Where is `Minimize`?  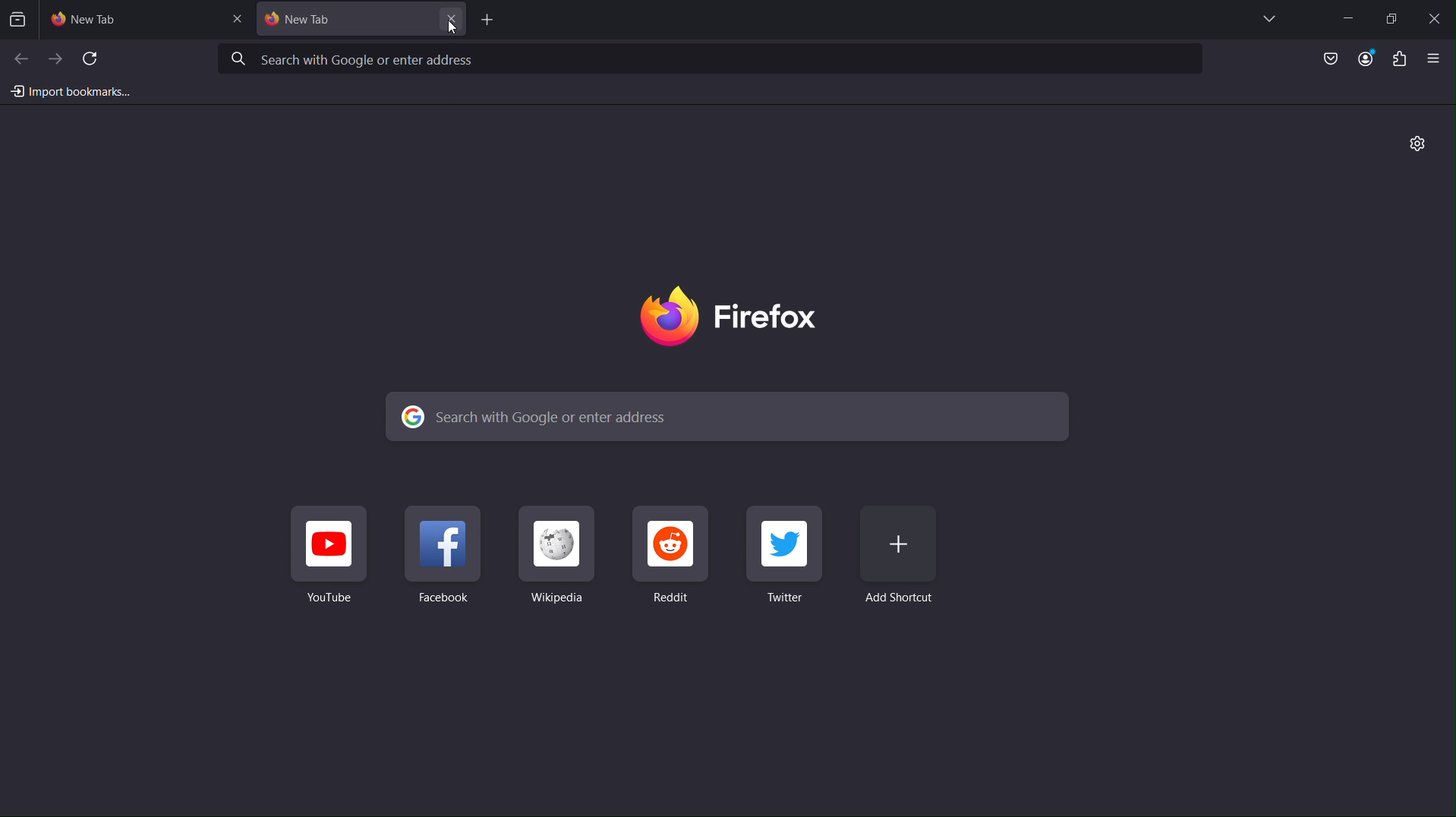
Minimize is located at coordinates (1344, 16).